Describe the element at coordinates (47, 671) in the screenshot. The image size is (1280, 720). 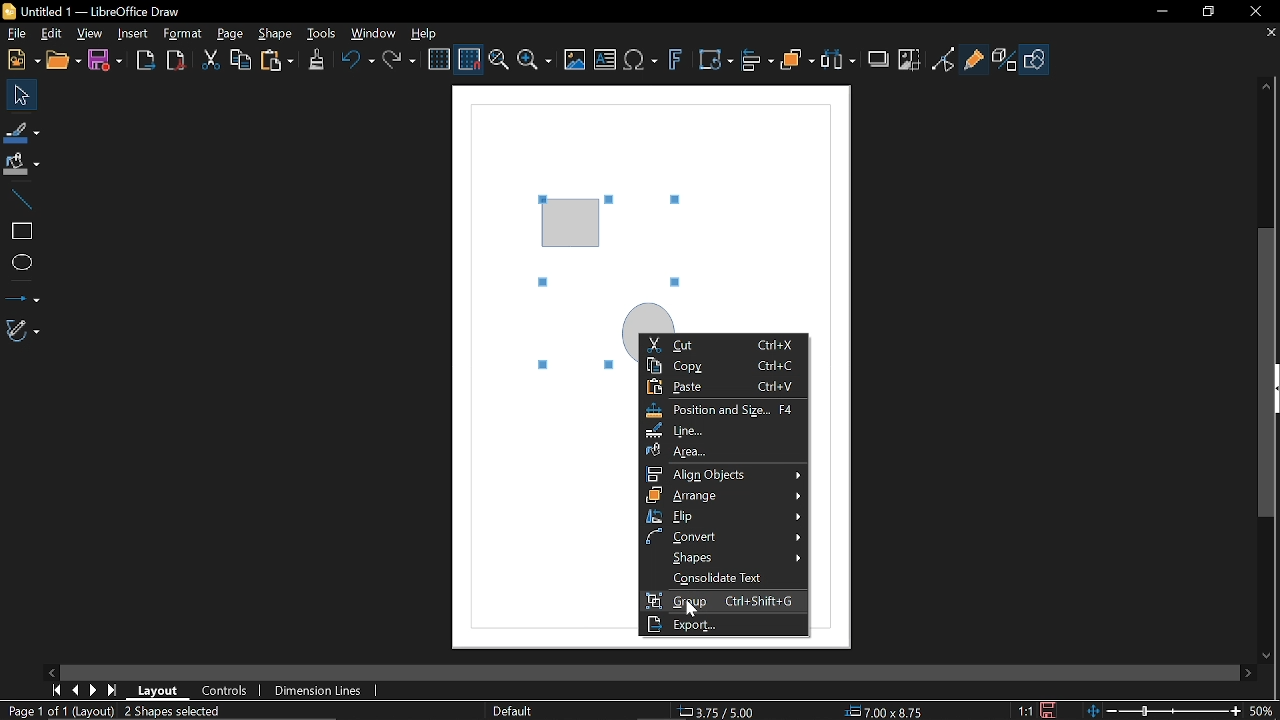
I see `Move left` at that location.